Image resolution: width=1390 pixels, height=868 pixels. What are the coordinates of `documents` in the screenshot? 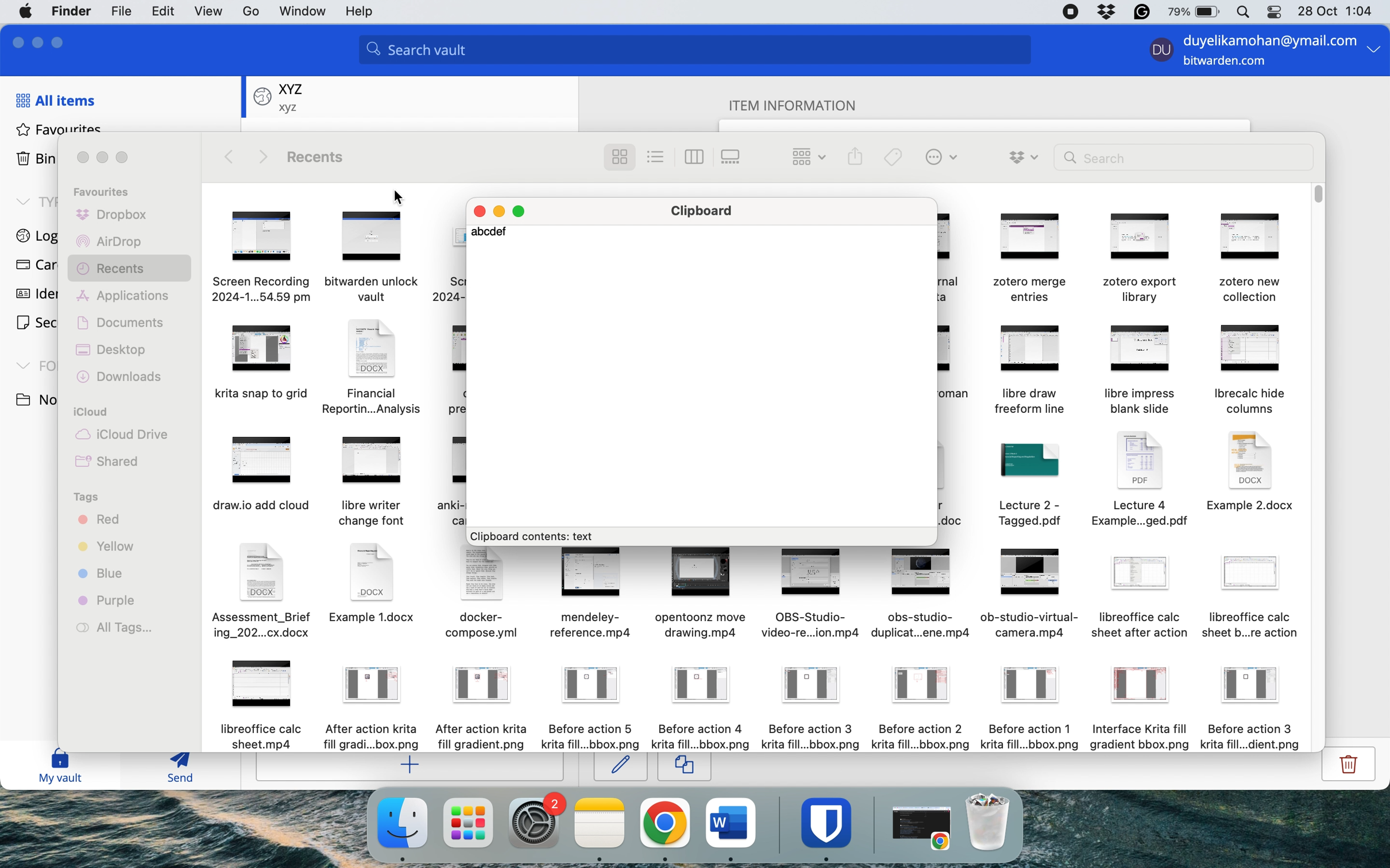 It's located at (126, 321).